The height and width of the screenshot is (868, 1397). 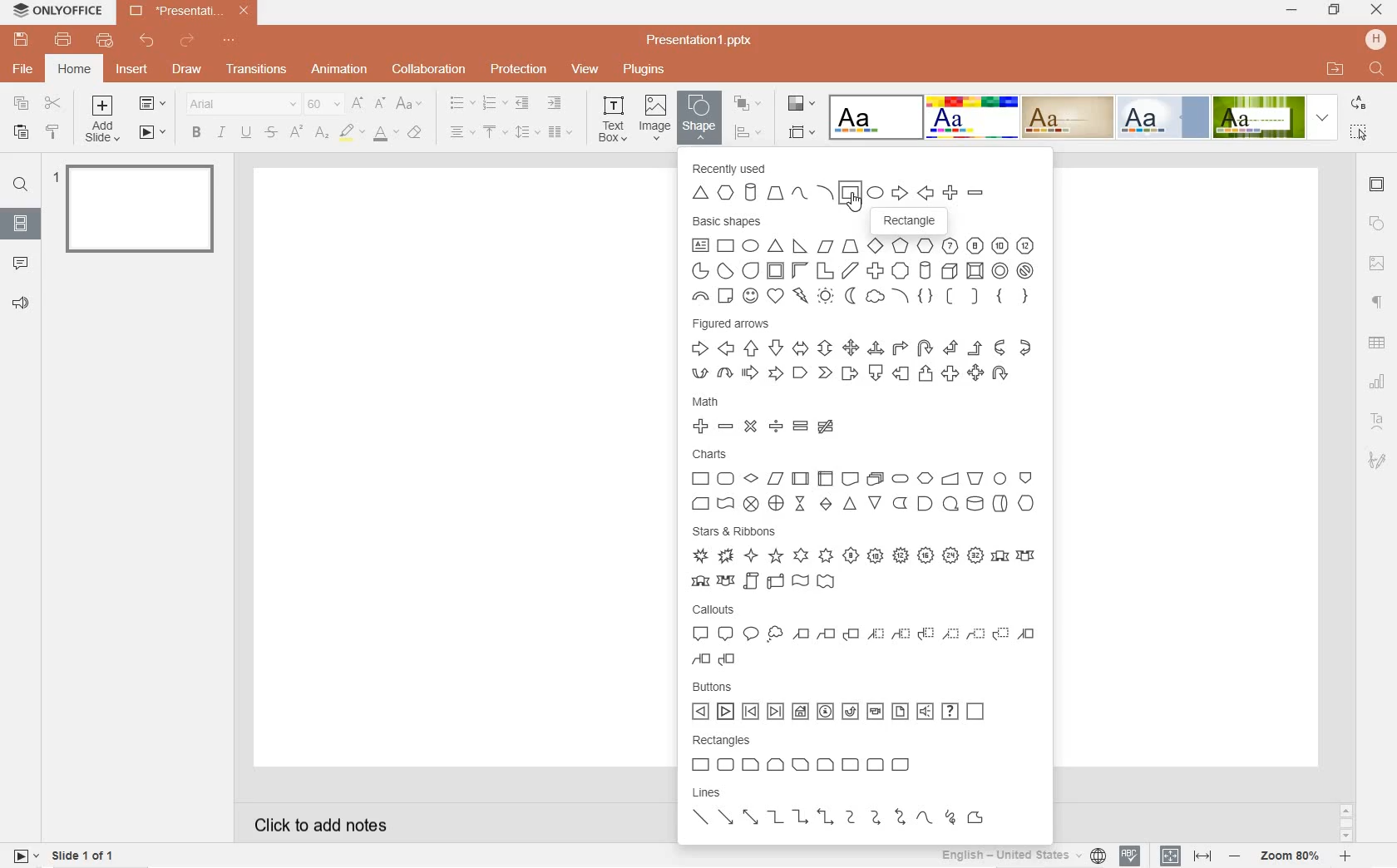 I want to click on add slide, so click(x=105, y=121).